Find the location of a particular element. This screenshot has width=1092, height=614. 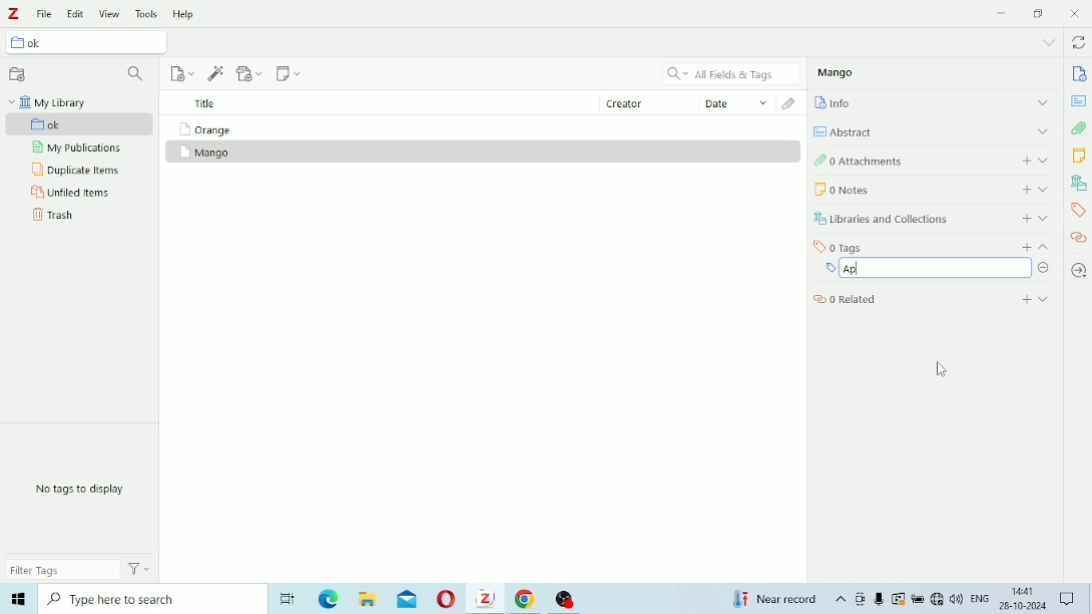

View is located at coordinates (110, 14).